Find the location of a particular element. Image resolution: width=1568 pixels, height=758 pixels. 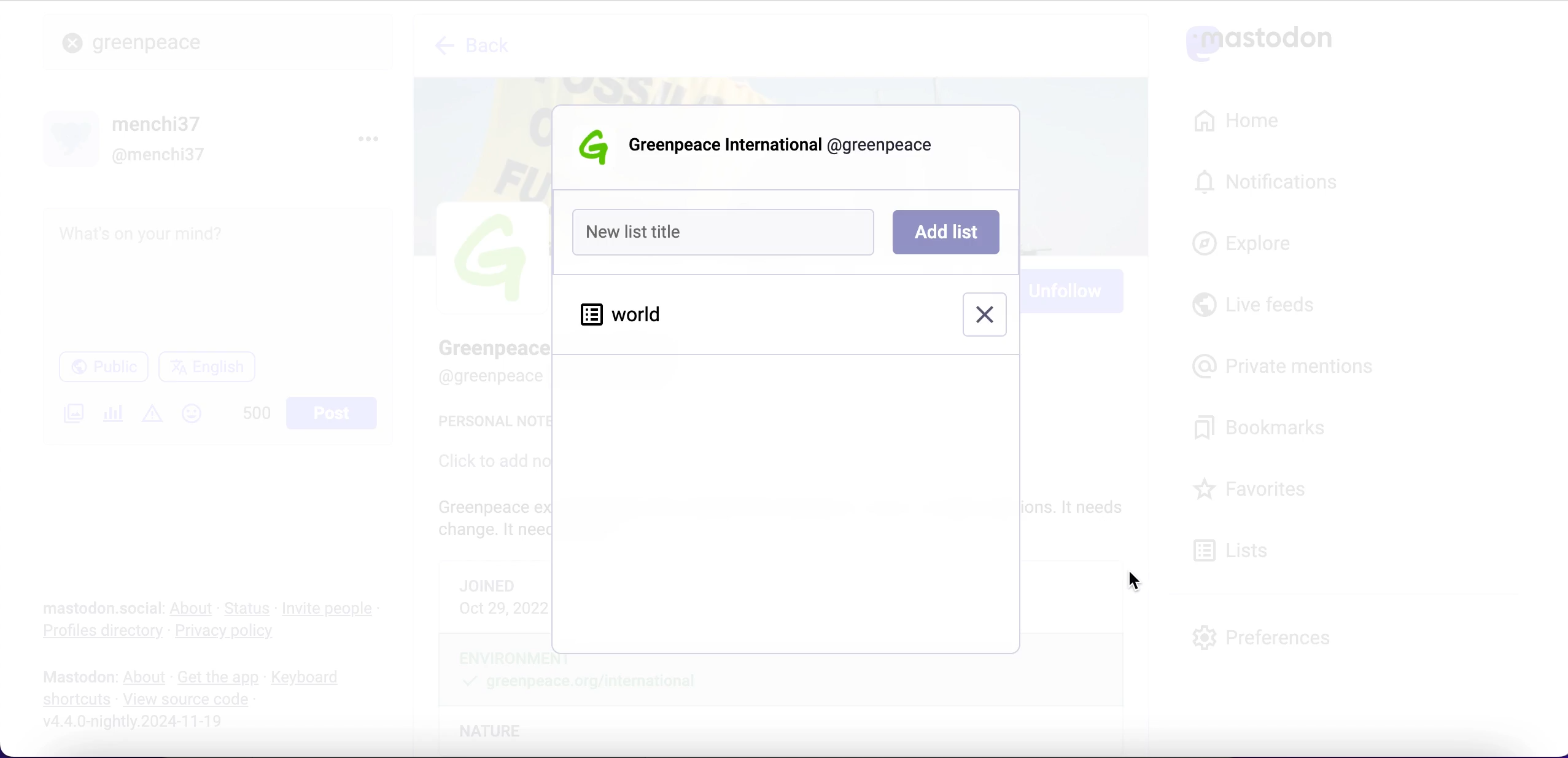

view source code is located at coordinates (190, 700).